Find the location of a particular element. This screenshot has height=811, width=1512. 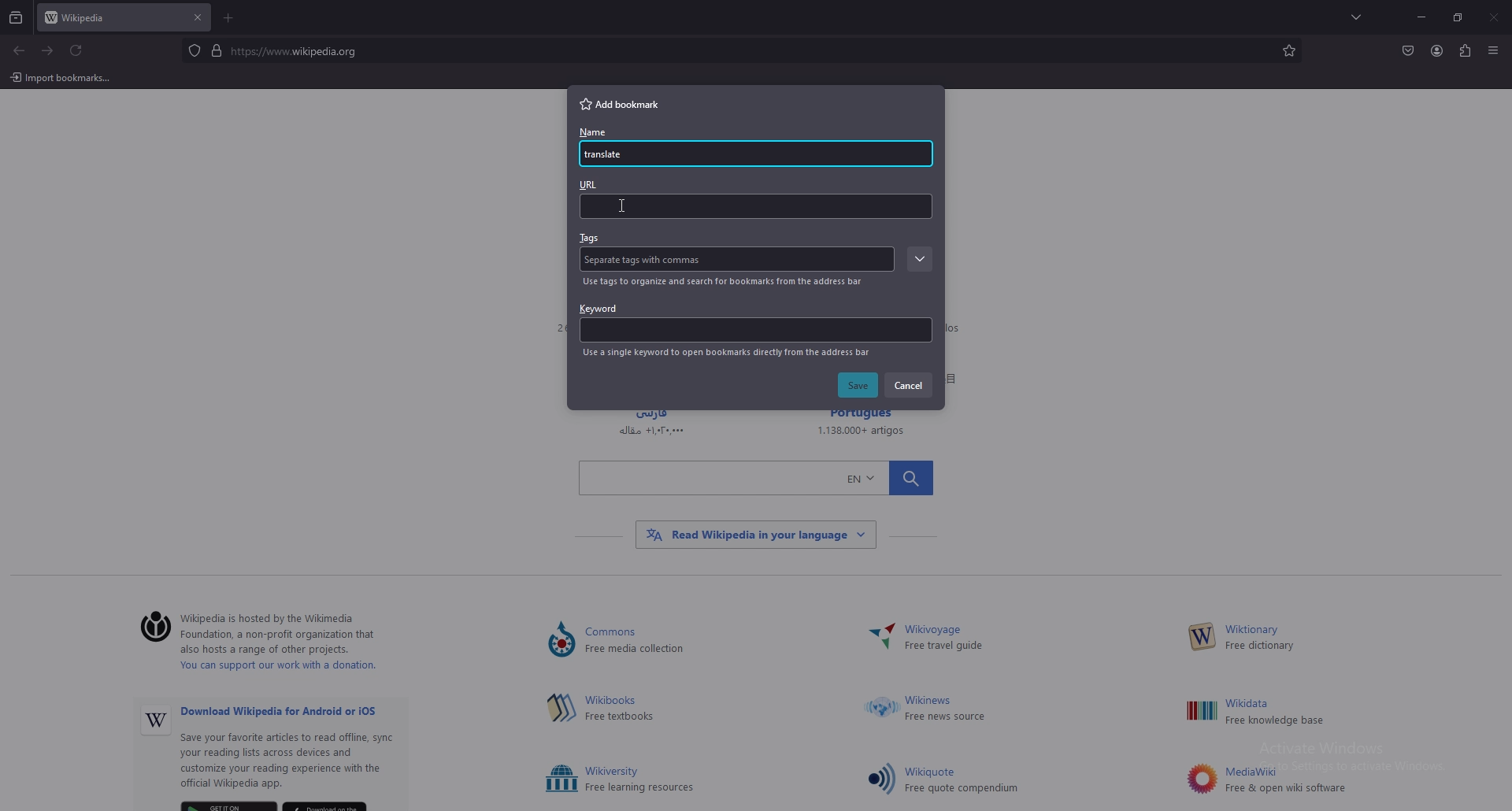

 is located at coordinates (561, 780).